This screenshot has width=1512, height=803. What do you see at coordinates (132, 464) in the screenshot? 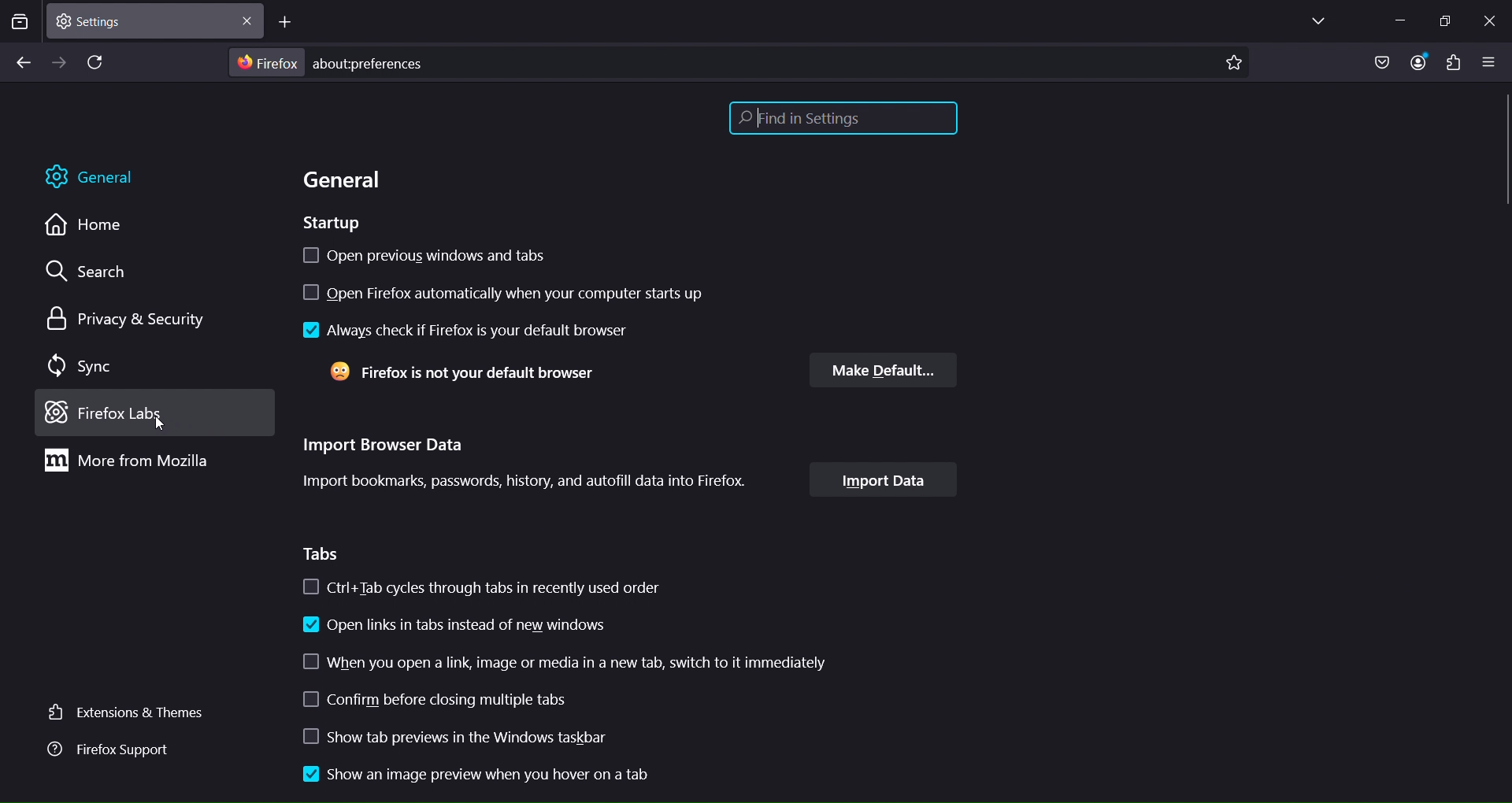
I see `move from mozilla` at bounding box center [132, 464].